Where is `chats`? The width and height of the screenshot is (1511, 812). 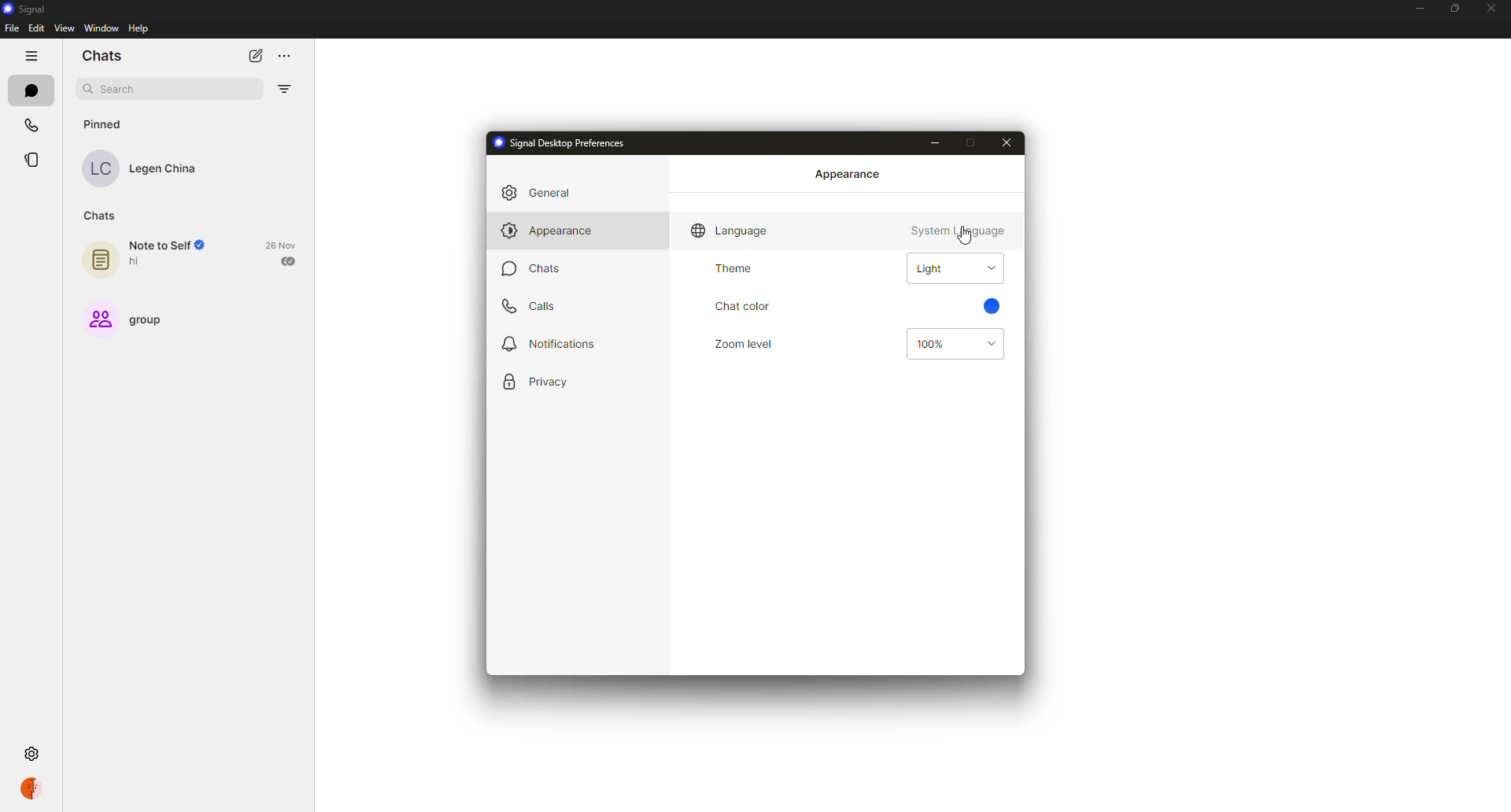 chats is located at coordinates (31, 90).